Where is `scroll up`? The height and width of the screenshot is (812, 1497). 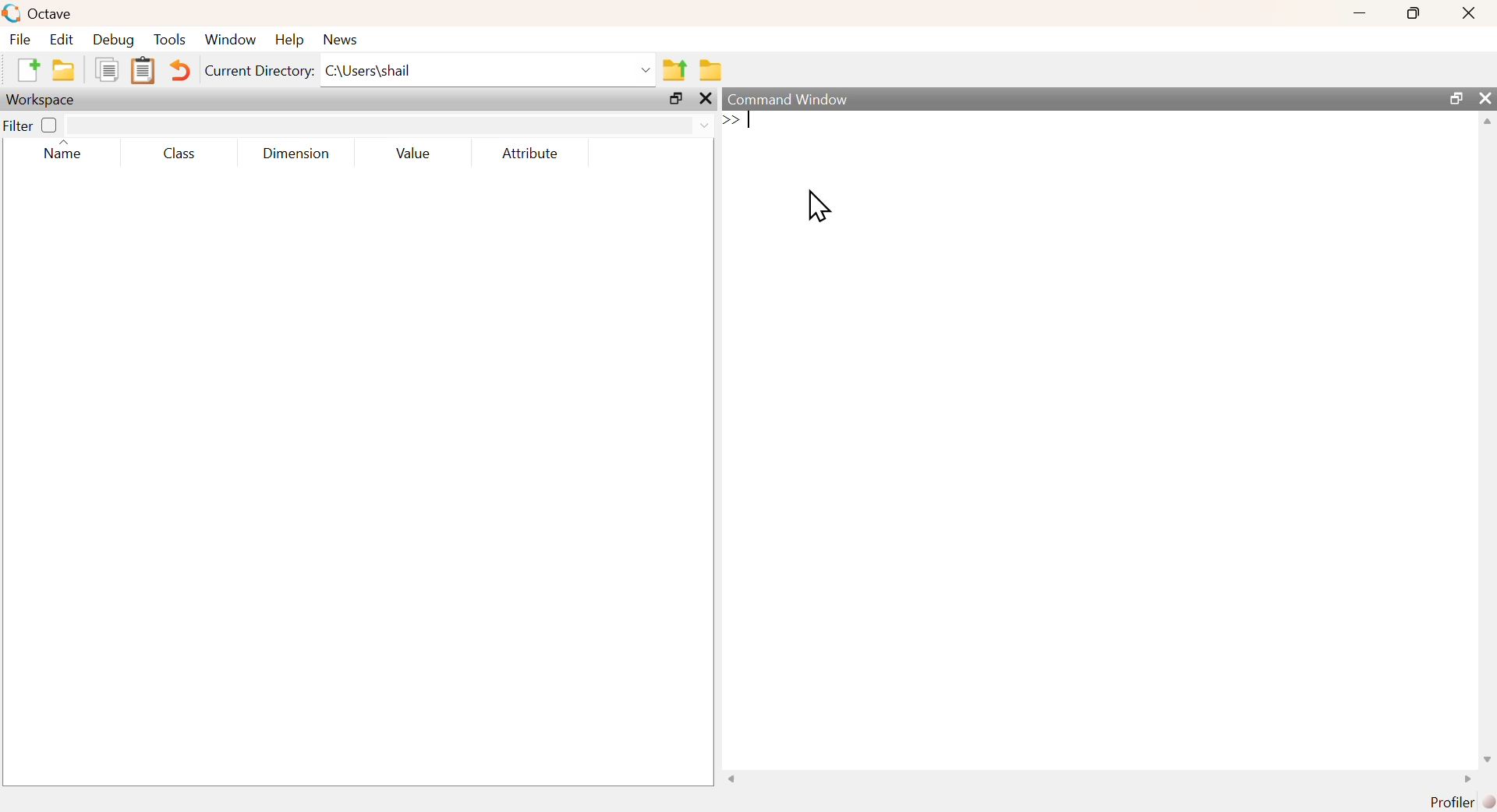 scroll up is located at coordinates (1483, 122).